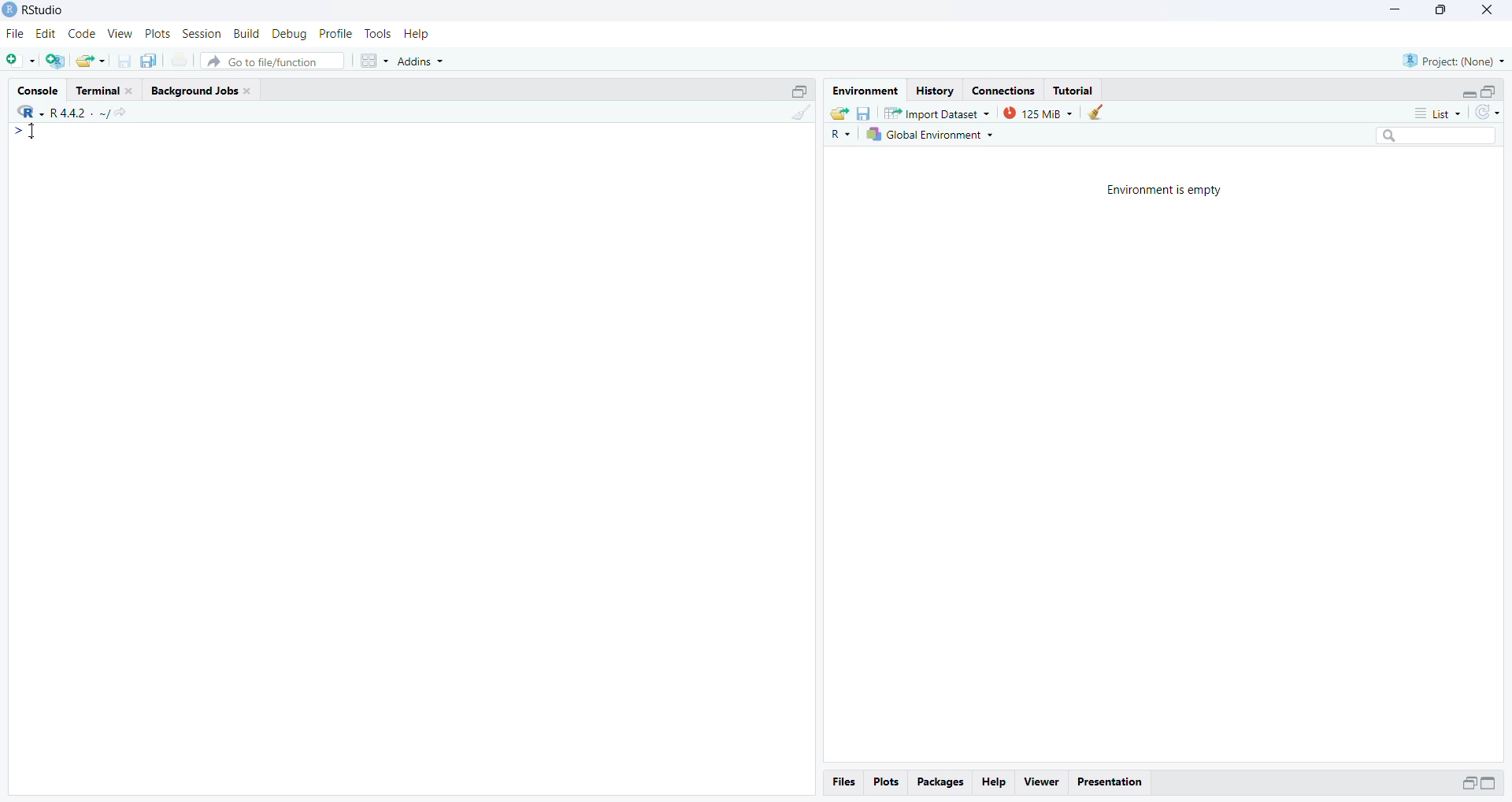 The image size is (1512, 802). What do you see at coordinates (1036, 113) in the screenshot?
I see `125 MiB` at bounding box center [1036, 113].